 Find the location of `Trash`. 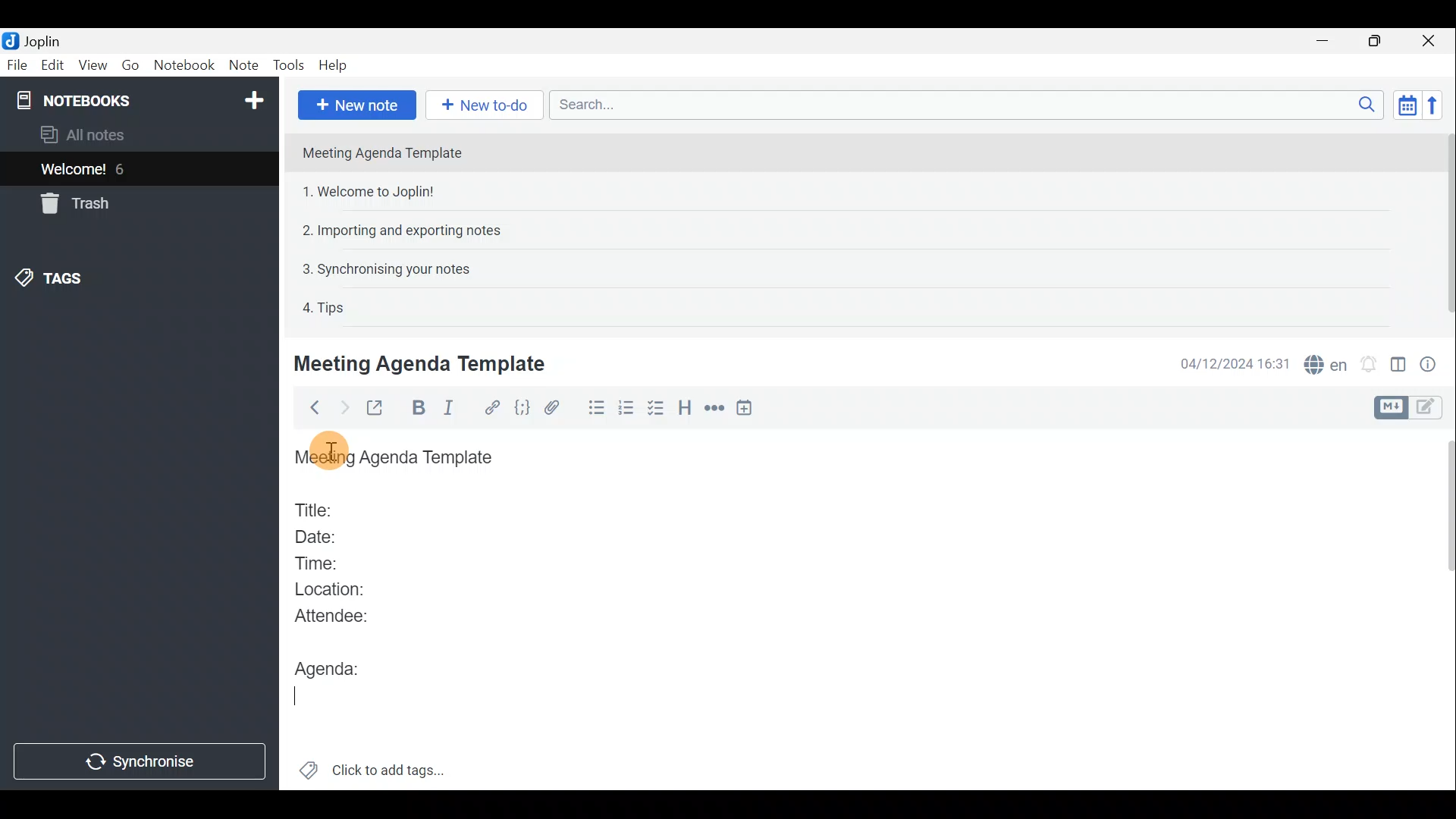

Trash is located at coordinates (72, 203).